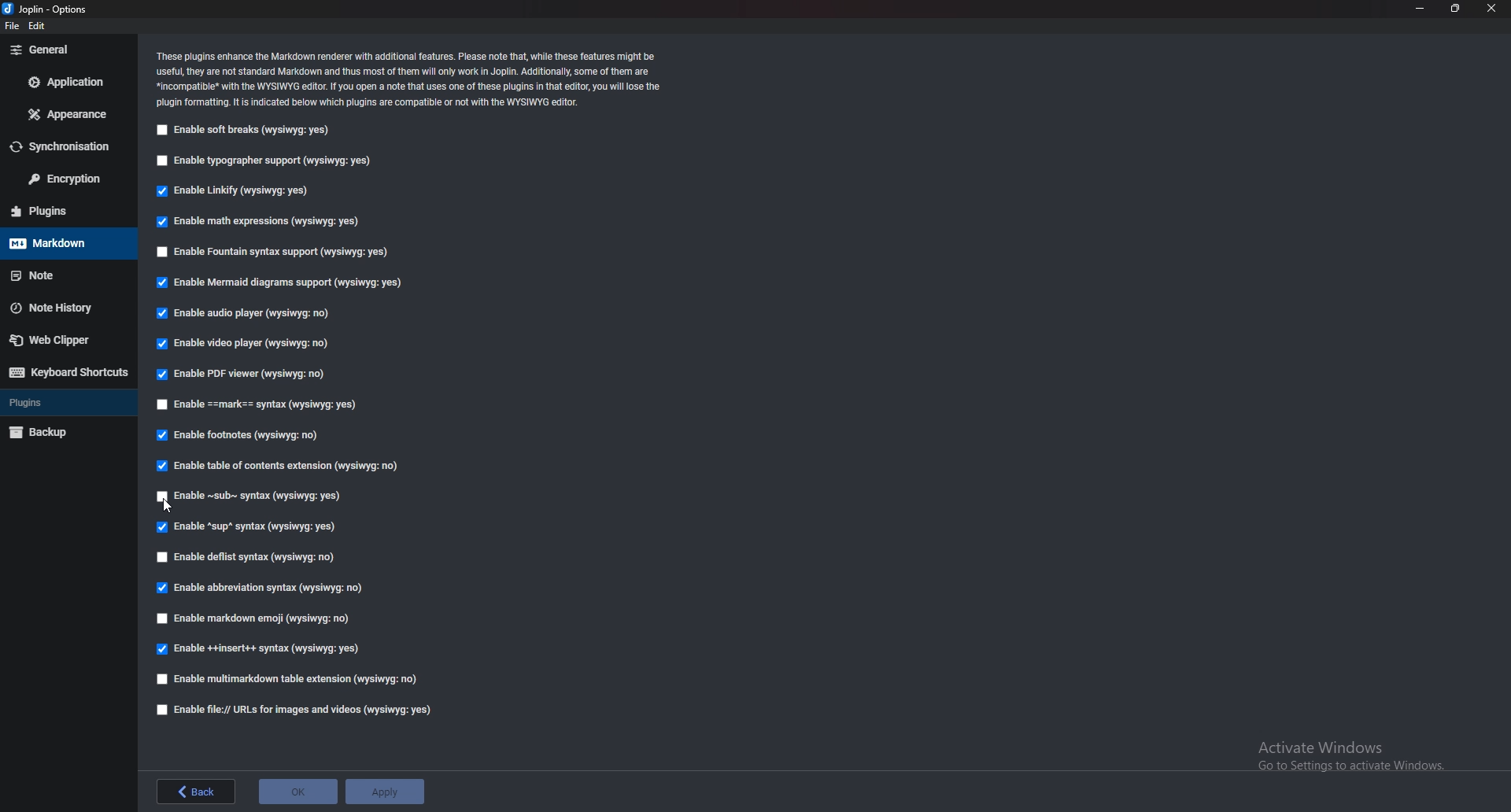 Image resolution: width=1511 pixels, height=812 pixels. What do you see at coordinates (10, 28) in the screenshot?
I see `file` at bounding box center [10, 28].